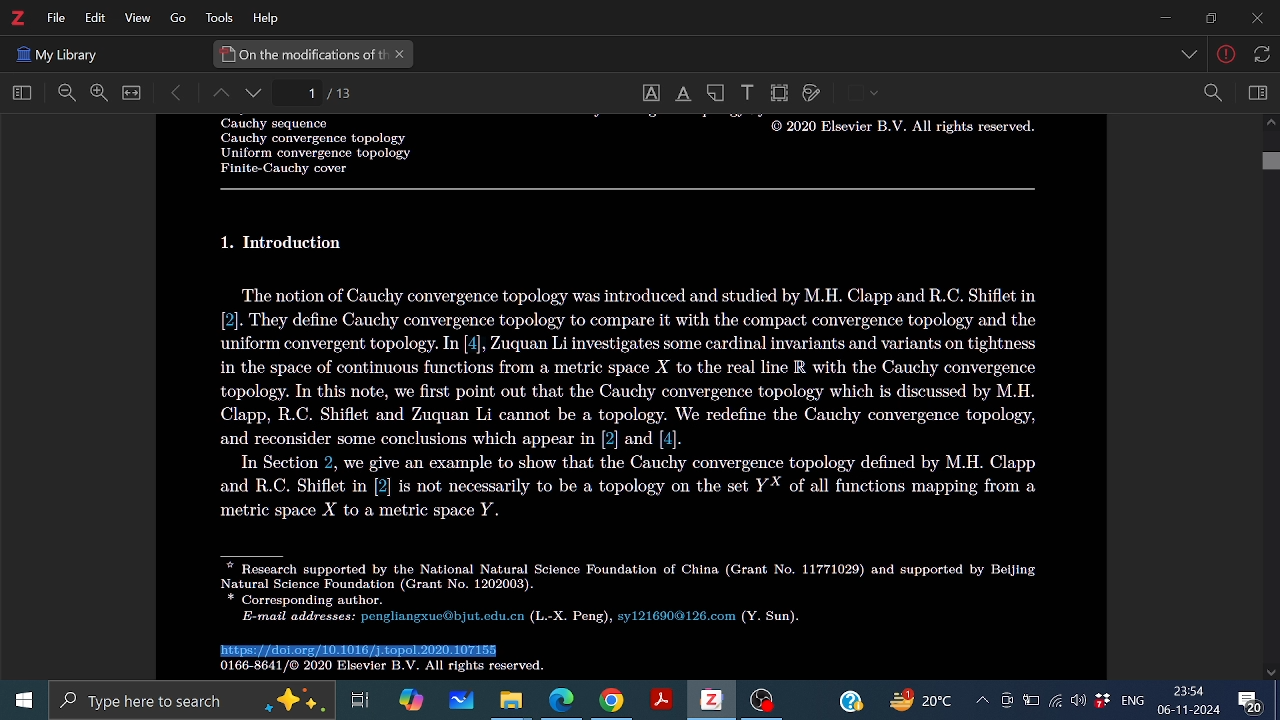 The image size is (1280, 720). Describe the element at coordinates (92, 18) in the screenshot. I see `Edit` at that location.